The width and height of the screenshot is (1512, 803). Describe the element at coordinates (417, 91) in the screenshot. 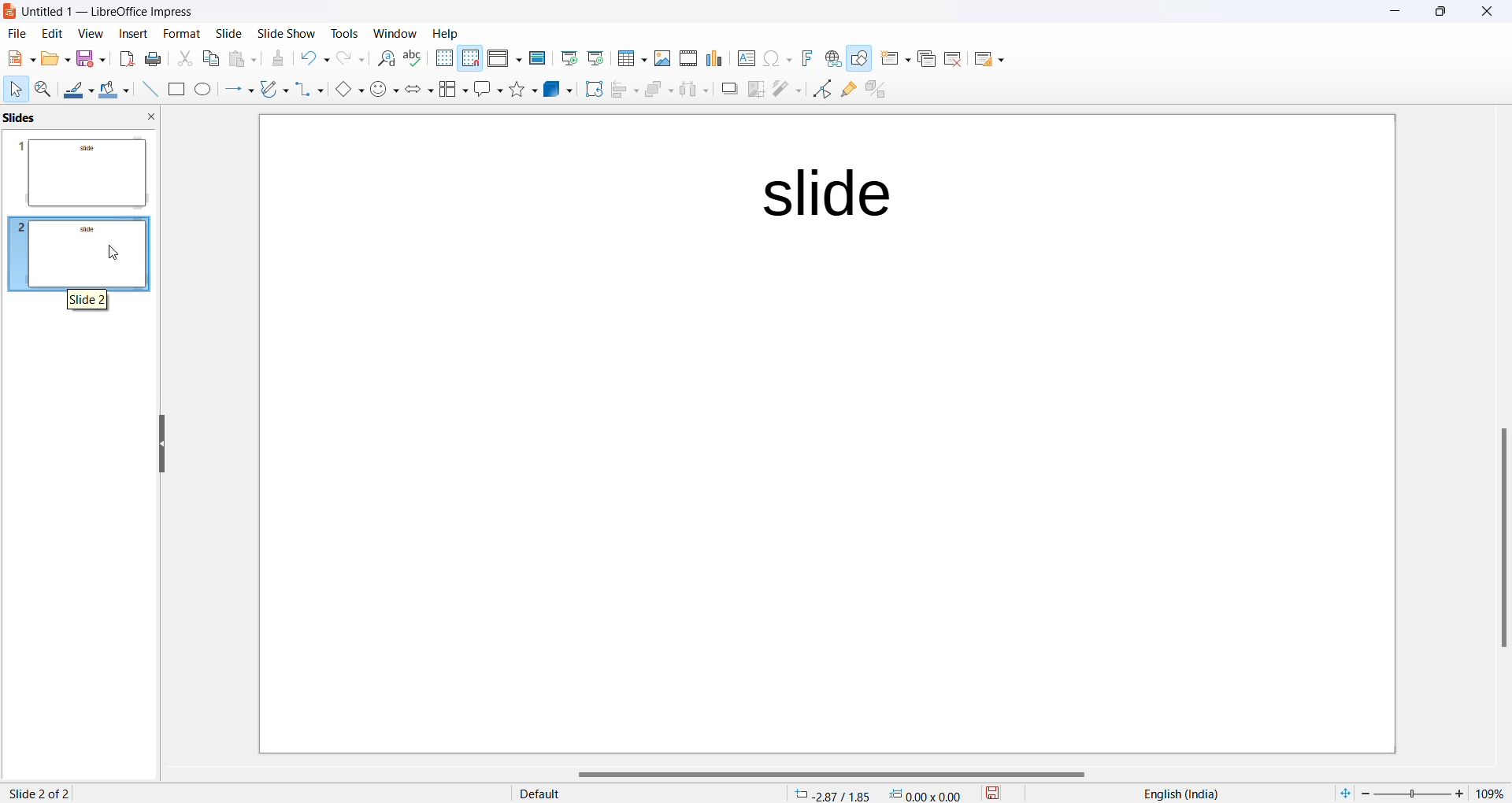

I see `Block arrows` at that location.